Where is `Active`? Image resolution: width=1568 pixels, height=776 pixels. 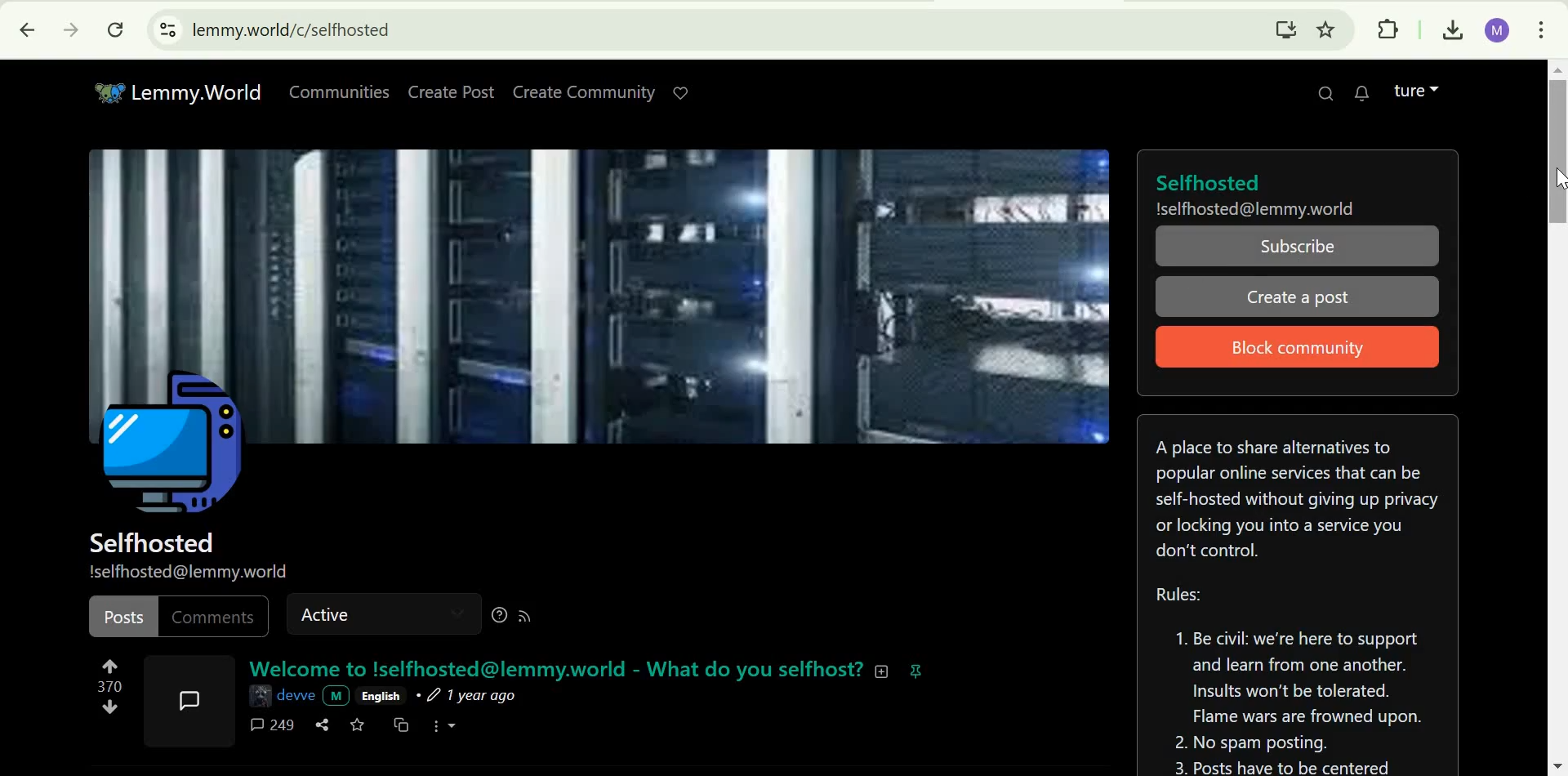
Active is located at coordinates (327, 613).